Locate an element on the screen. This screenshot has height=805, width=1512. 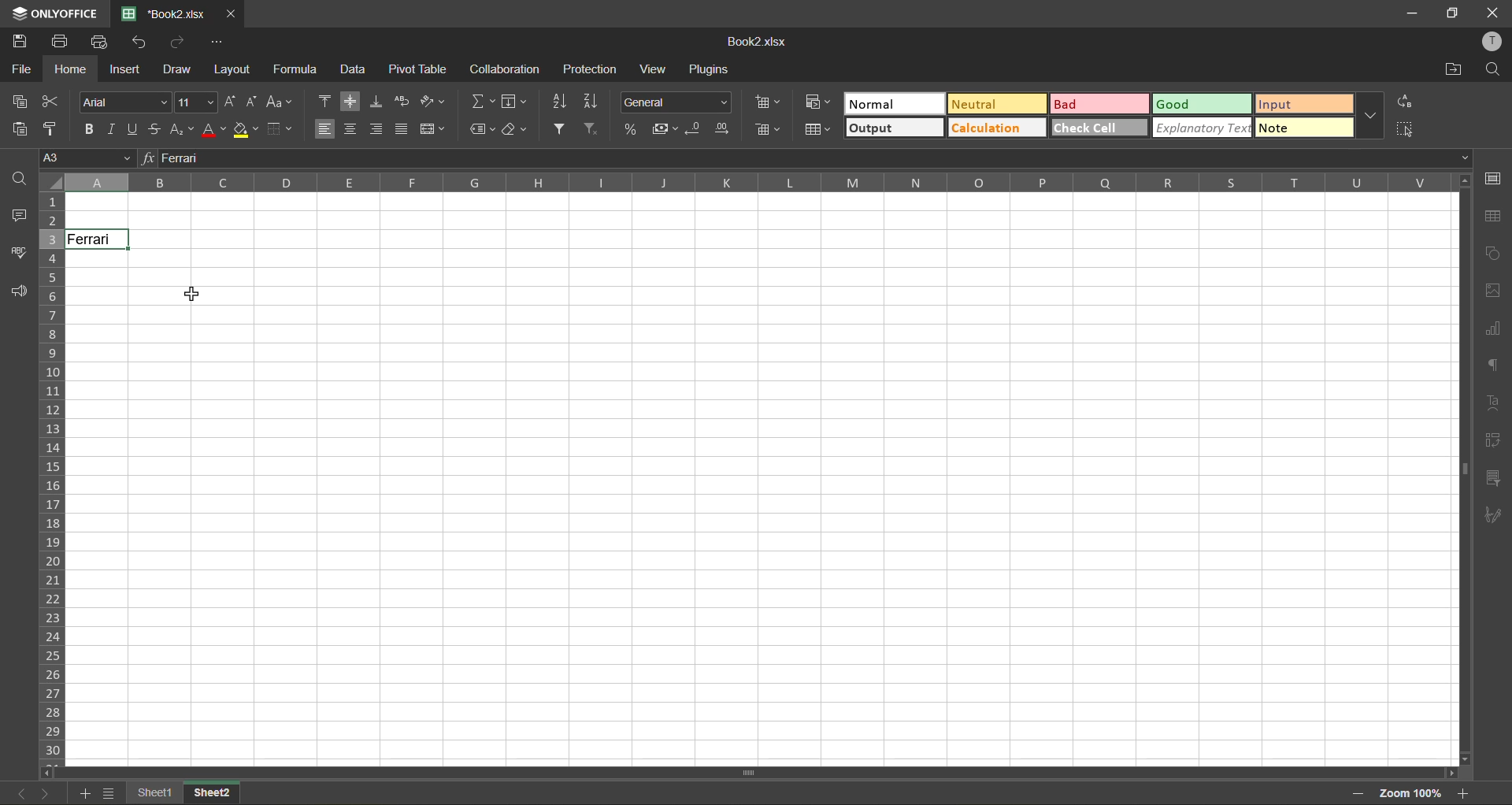
copy style is located at coordinates (53, 130).